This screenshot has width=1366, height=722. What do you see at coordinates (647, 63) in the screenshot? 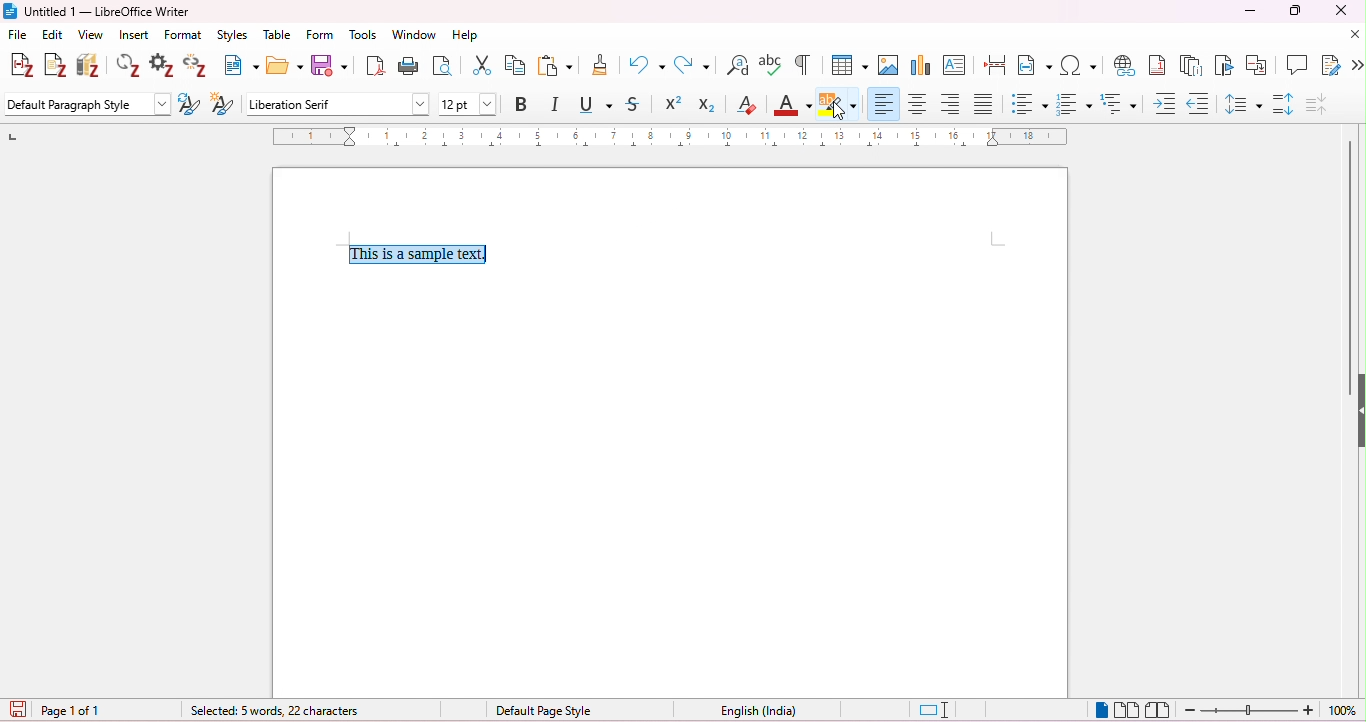
I see `undo` at bounding box center [647, 63].